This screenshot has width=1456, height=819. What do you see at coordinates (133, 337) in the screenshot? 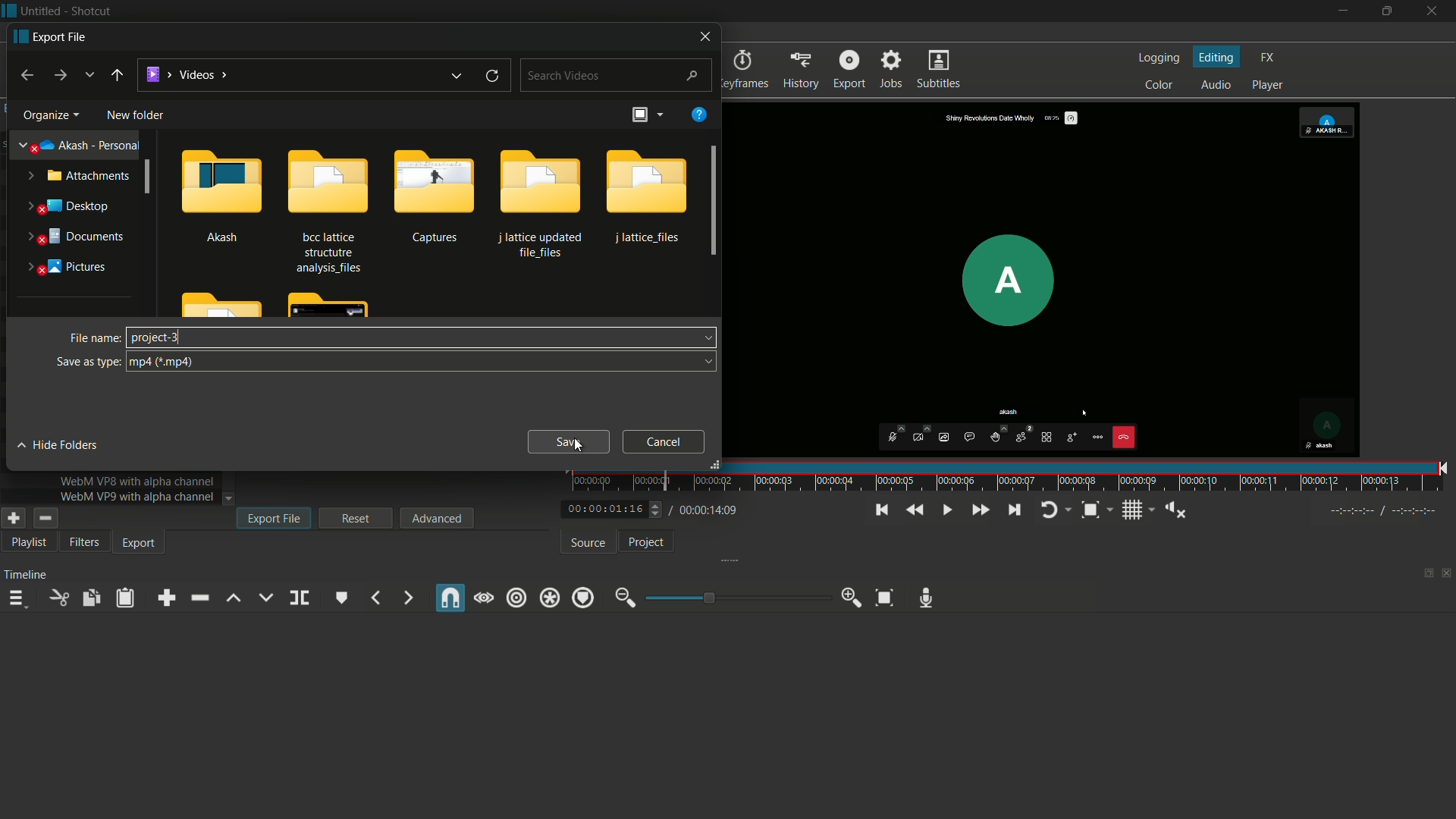
I see `cursor` at bounding box center [133, 337].